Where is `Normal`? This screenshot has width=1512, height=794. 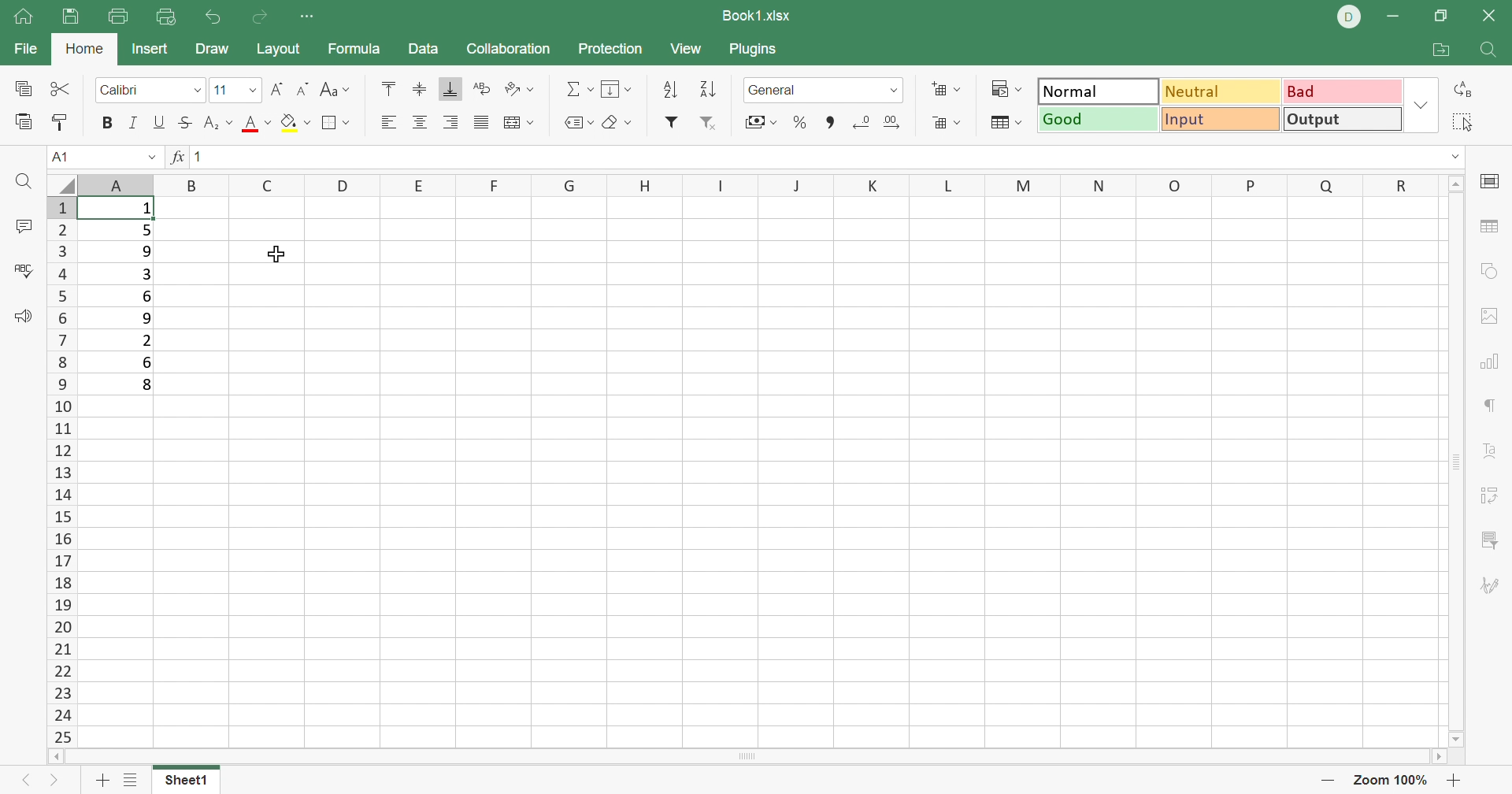
Normal is located at coordinates (1094, 91).